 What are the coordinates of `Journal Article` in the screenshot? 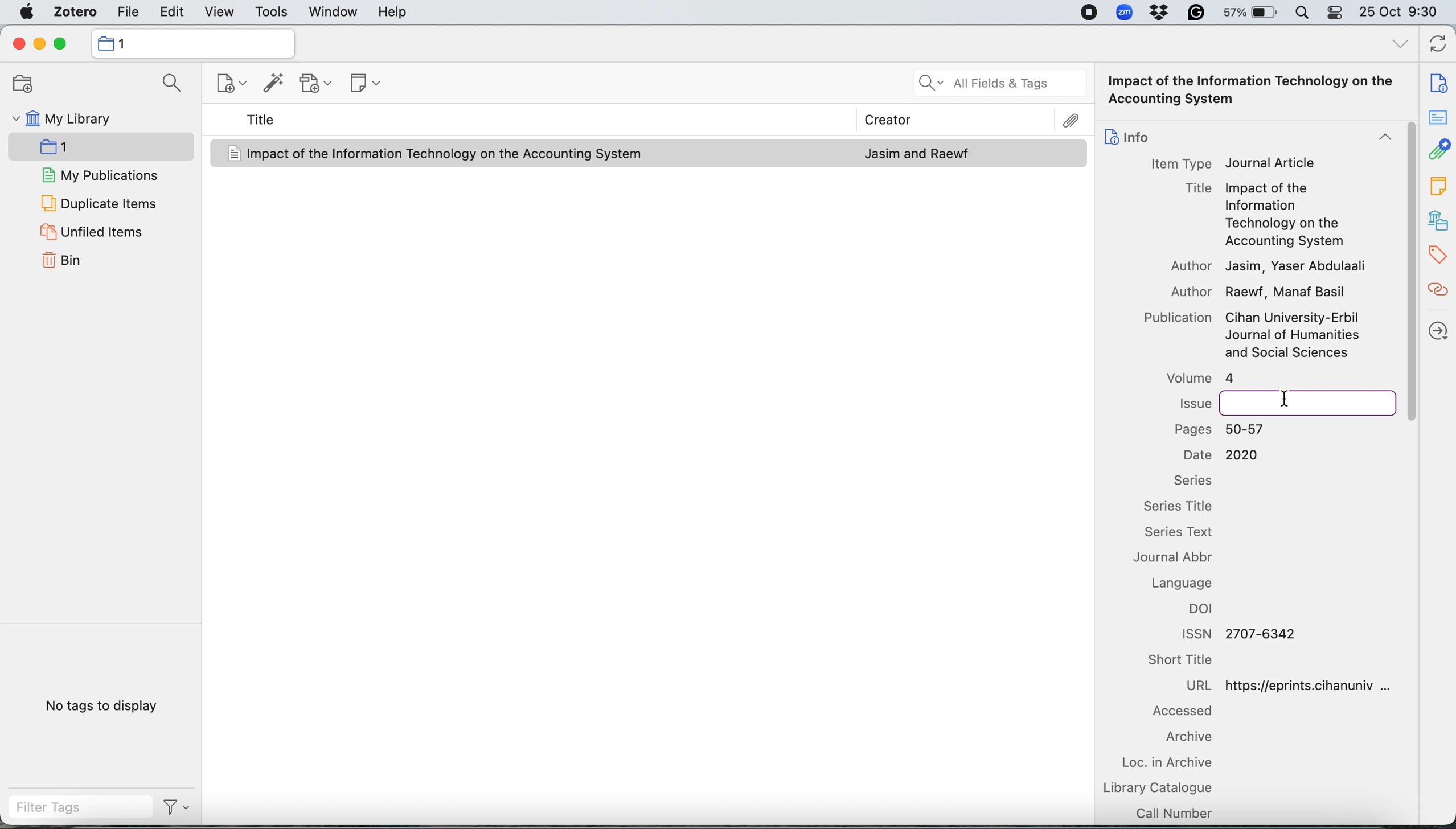 It's located at (1271, 163).